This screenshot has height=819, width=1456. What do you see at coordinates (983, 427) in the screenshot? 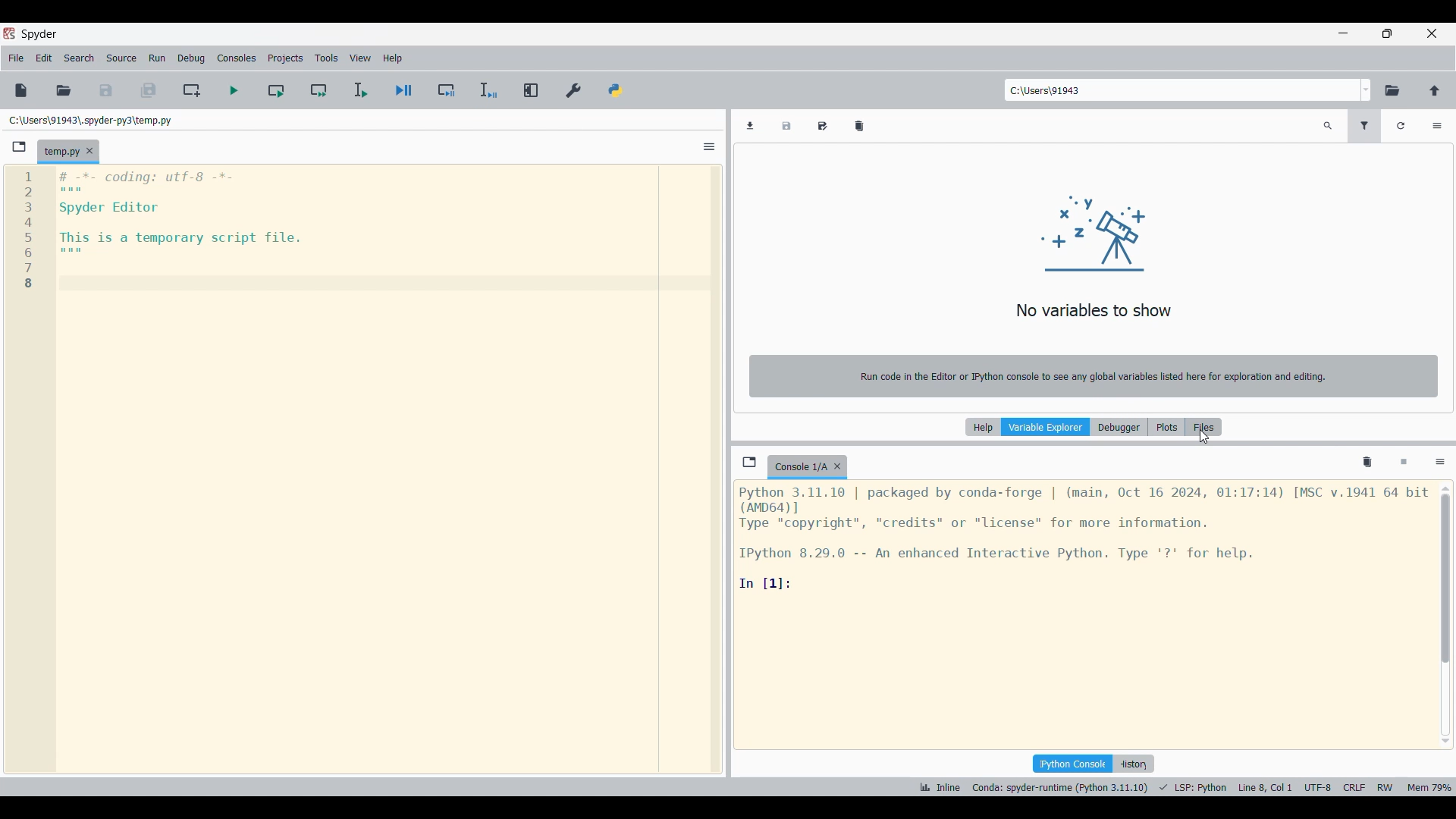
I see `Help` at bounding box center [983, 427].